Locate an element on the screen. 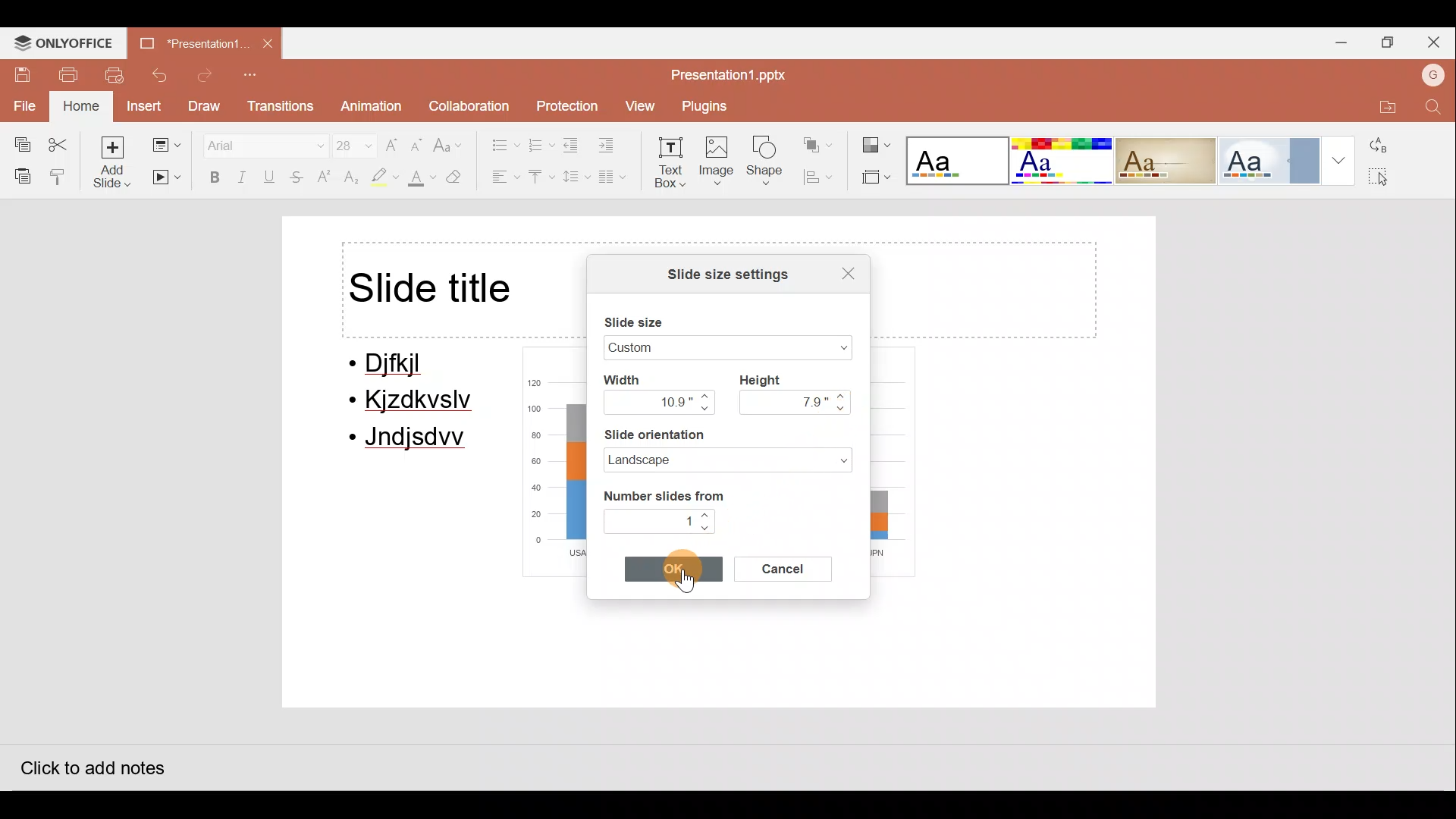 The width and height of the screenshot is (1456, 819). Minimize is located at coordinates (1338, 45).